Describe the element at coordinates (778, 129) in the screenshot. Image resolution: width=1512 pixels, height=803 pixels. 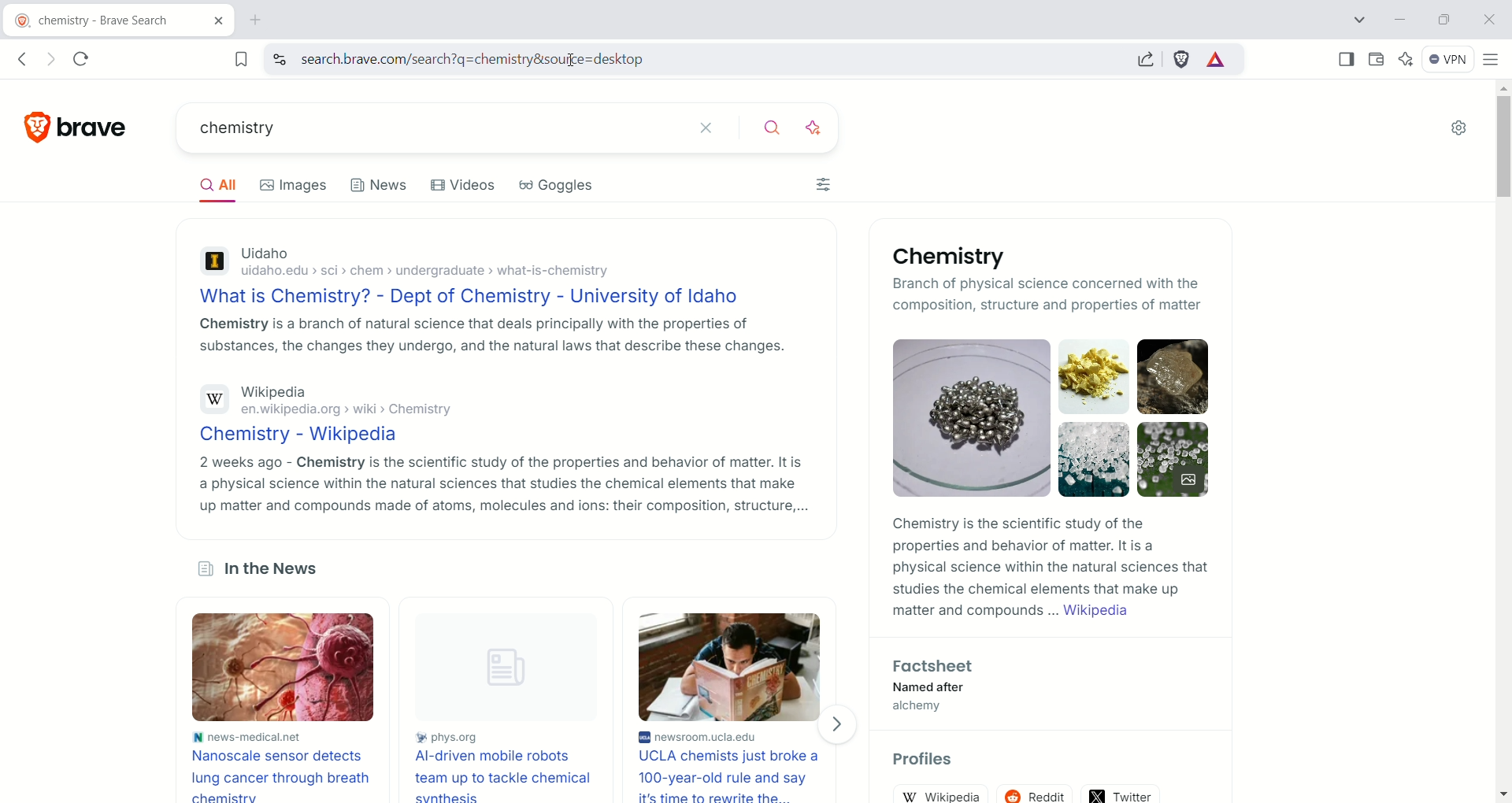
I see `search` at that location.